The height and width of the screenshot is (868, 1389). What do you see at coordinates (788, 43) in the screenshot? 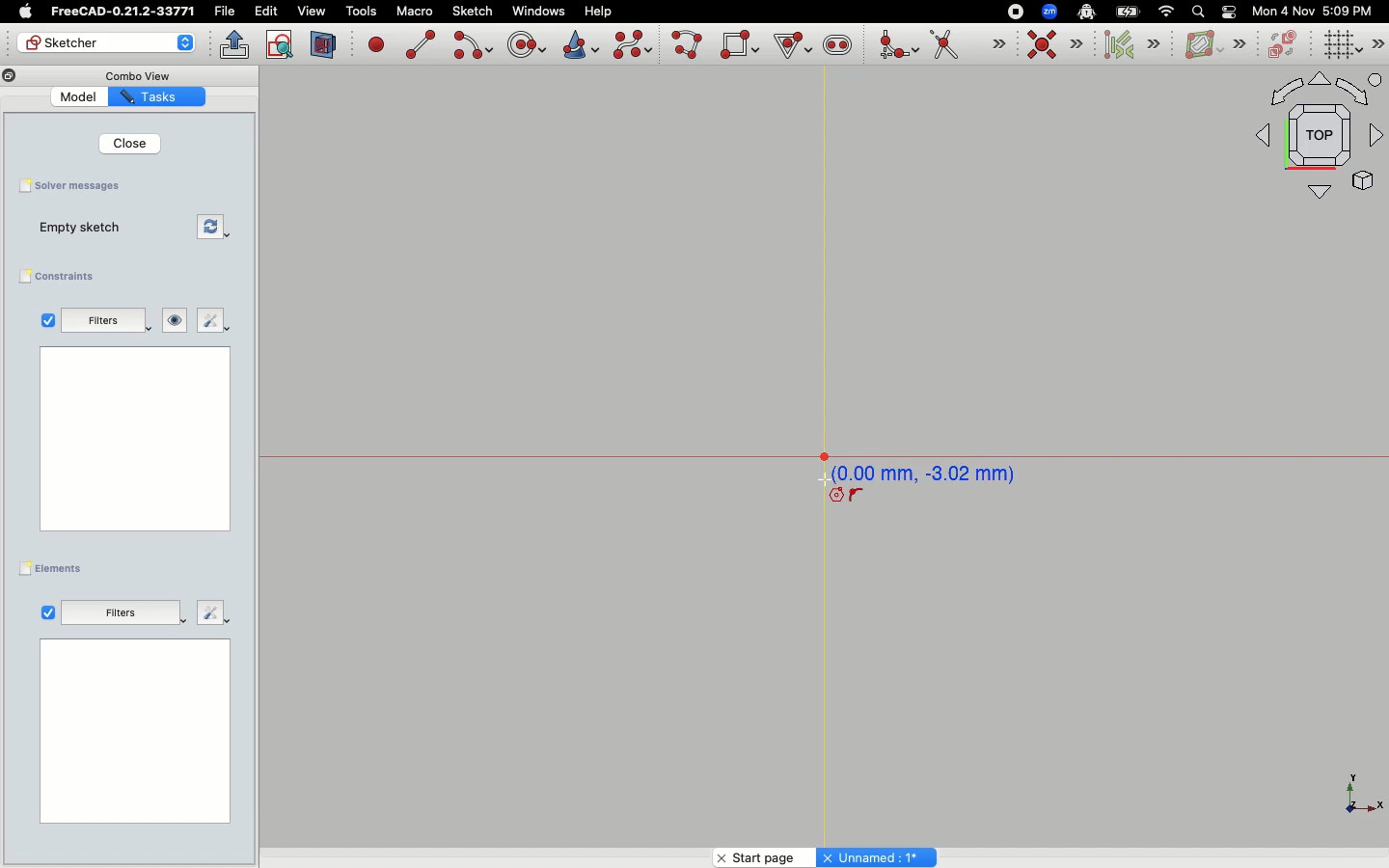
I see `Cursor` at bounding box center [788, 43].